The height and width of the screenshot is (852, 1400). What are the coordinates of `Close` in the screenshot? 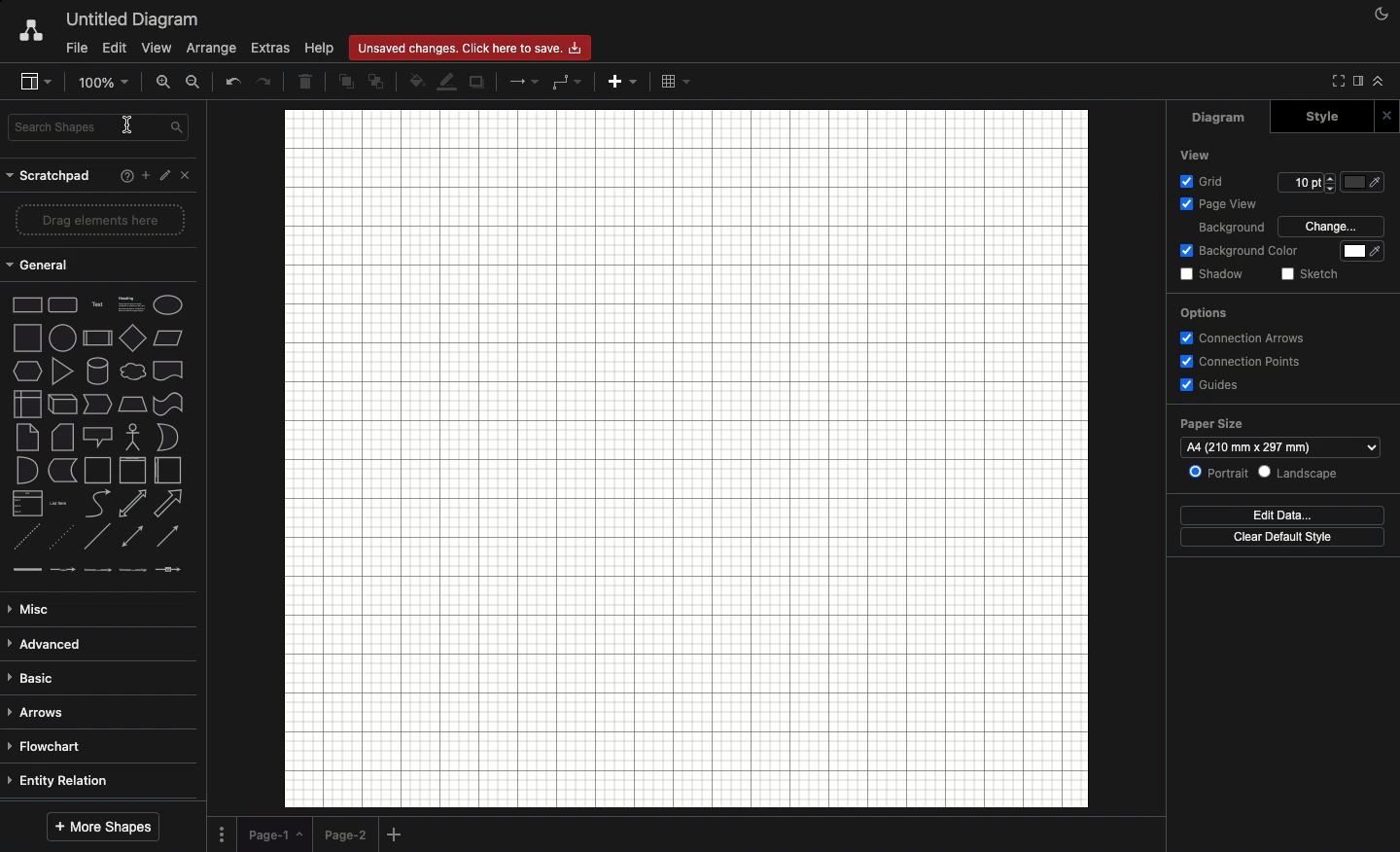 It's located at (188, 175).